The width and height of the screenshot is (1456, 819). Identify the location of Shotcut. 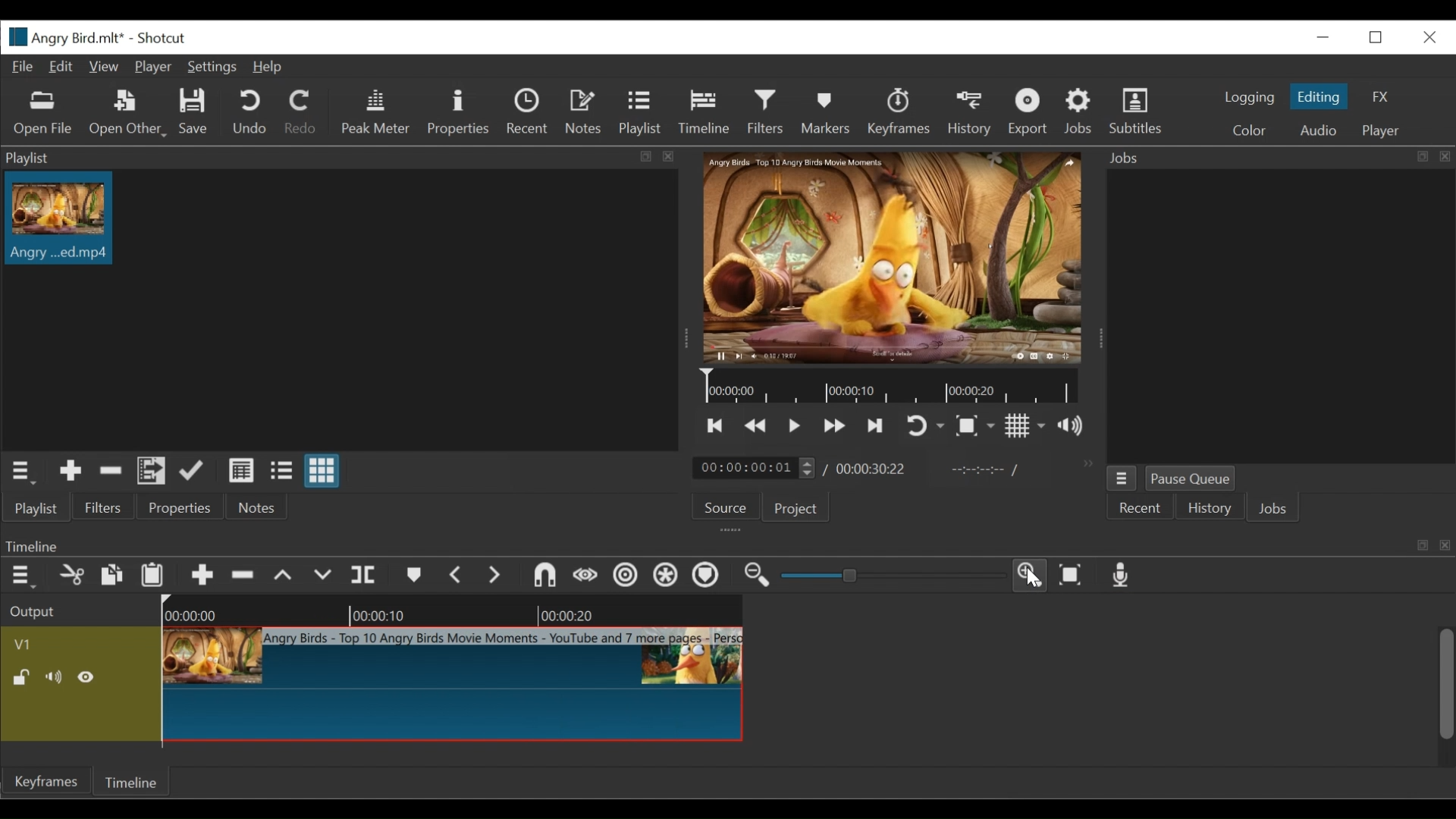
(162, 39).